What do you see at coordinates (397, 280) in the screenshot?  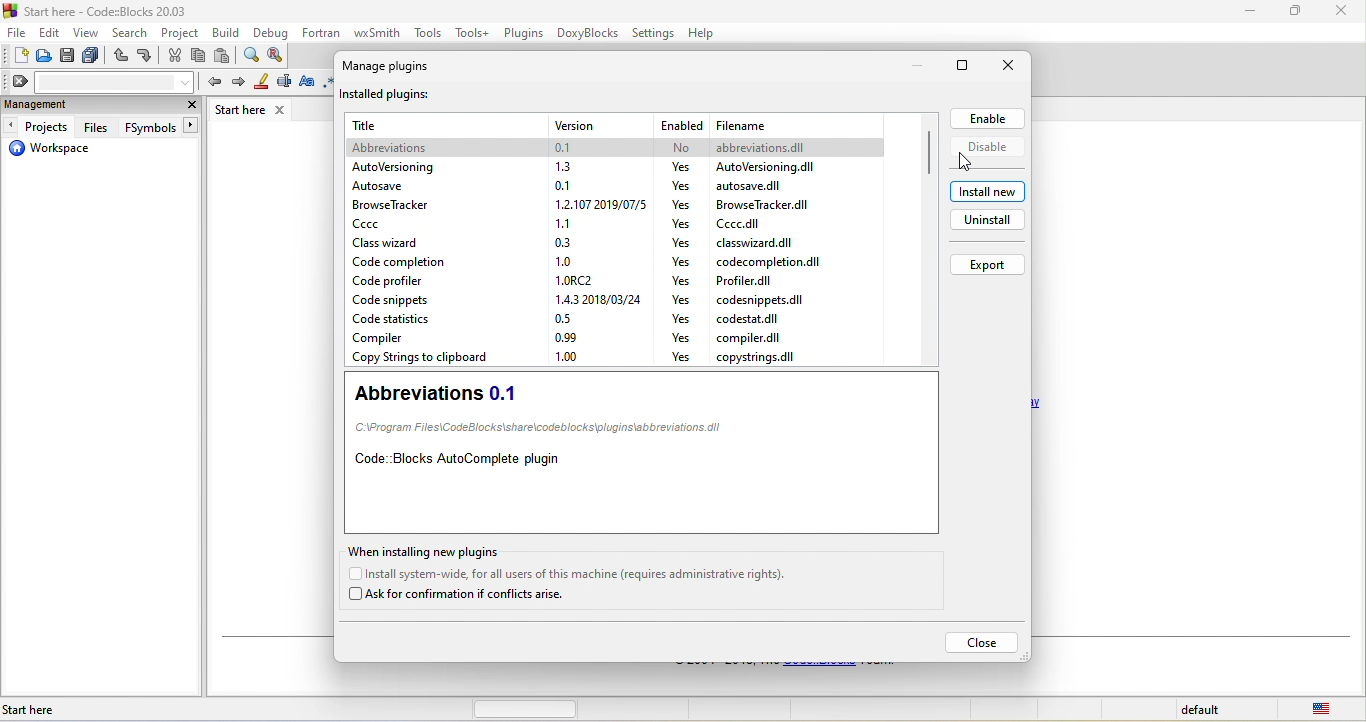 I see `code profiler` at bounding box center [397, 280].